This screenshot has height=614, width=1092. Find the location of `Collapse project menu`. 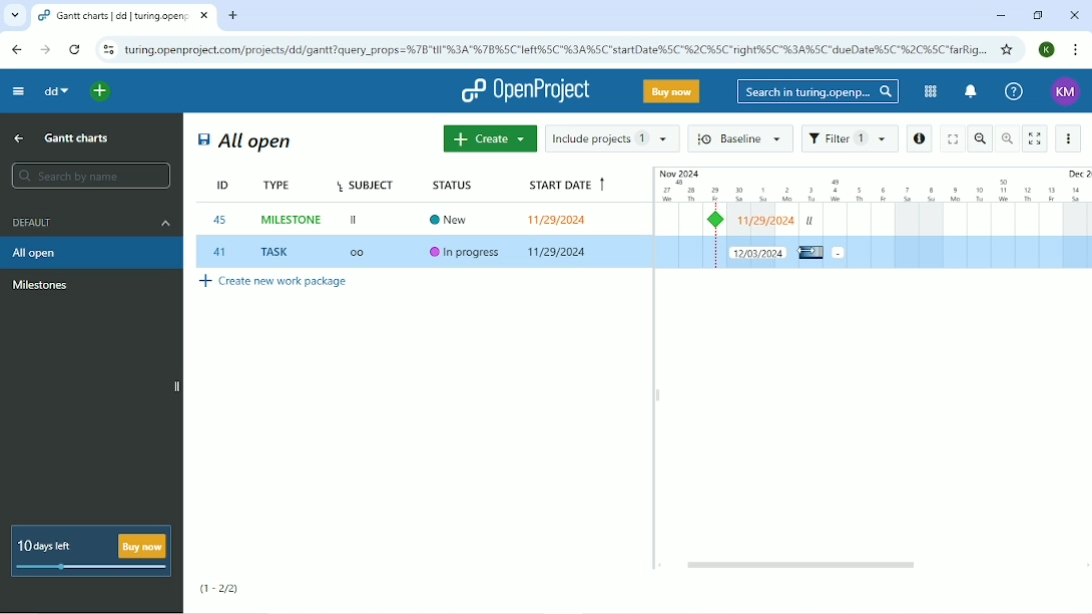

Collapse project menu is located at coordinates (18, 92).